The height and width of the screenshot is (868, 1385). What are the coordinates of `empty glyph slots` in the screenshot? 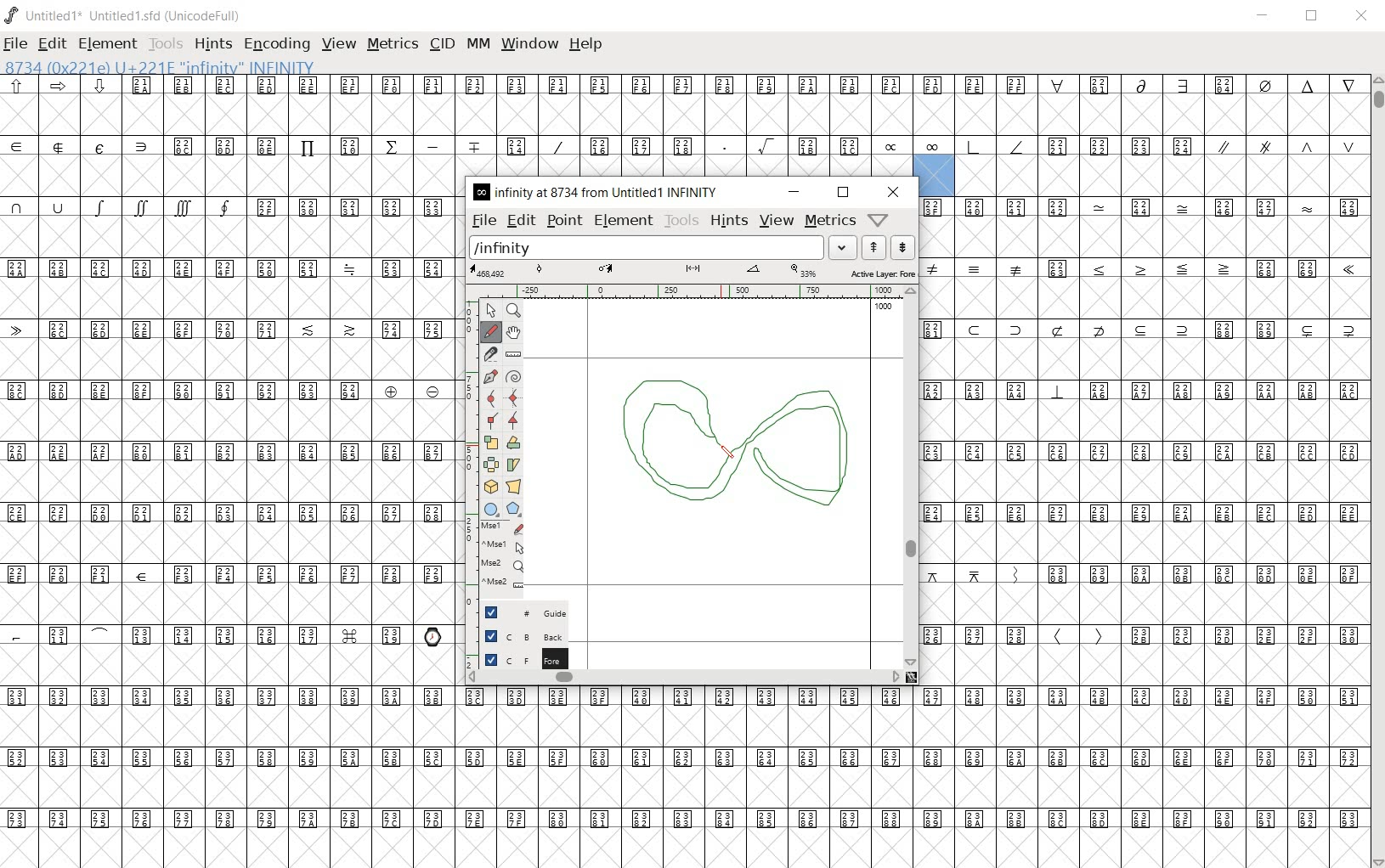 It's located at (1146, 298).